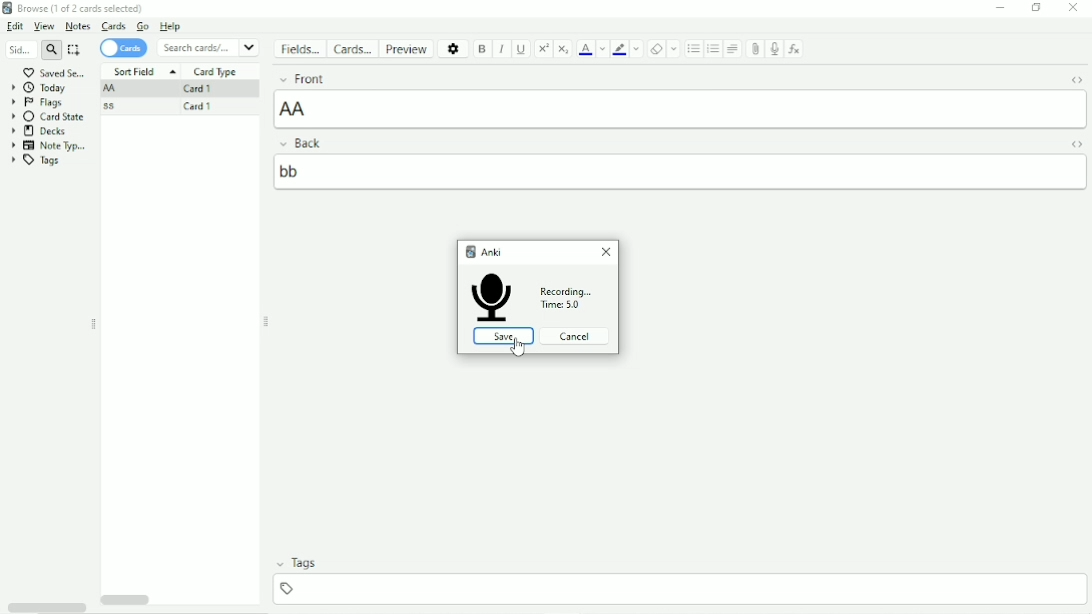 This screenshot has width=1092, height=614. Describe the element at coordinates (43, 103) in the screenshot. I see `Flags` at that location.